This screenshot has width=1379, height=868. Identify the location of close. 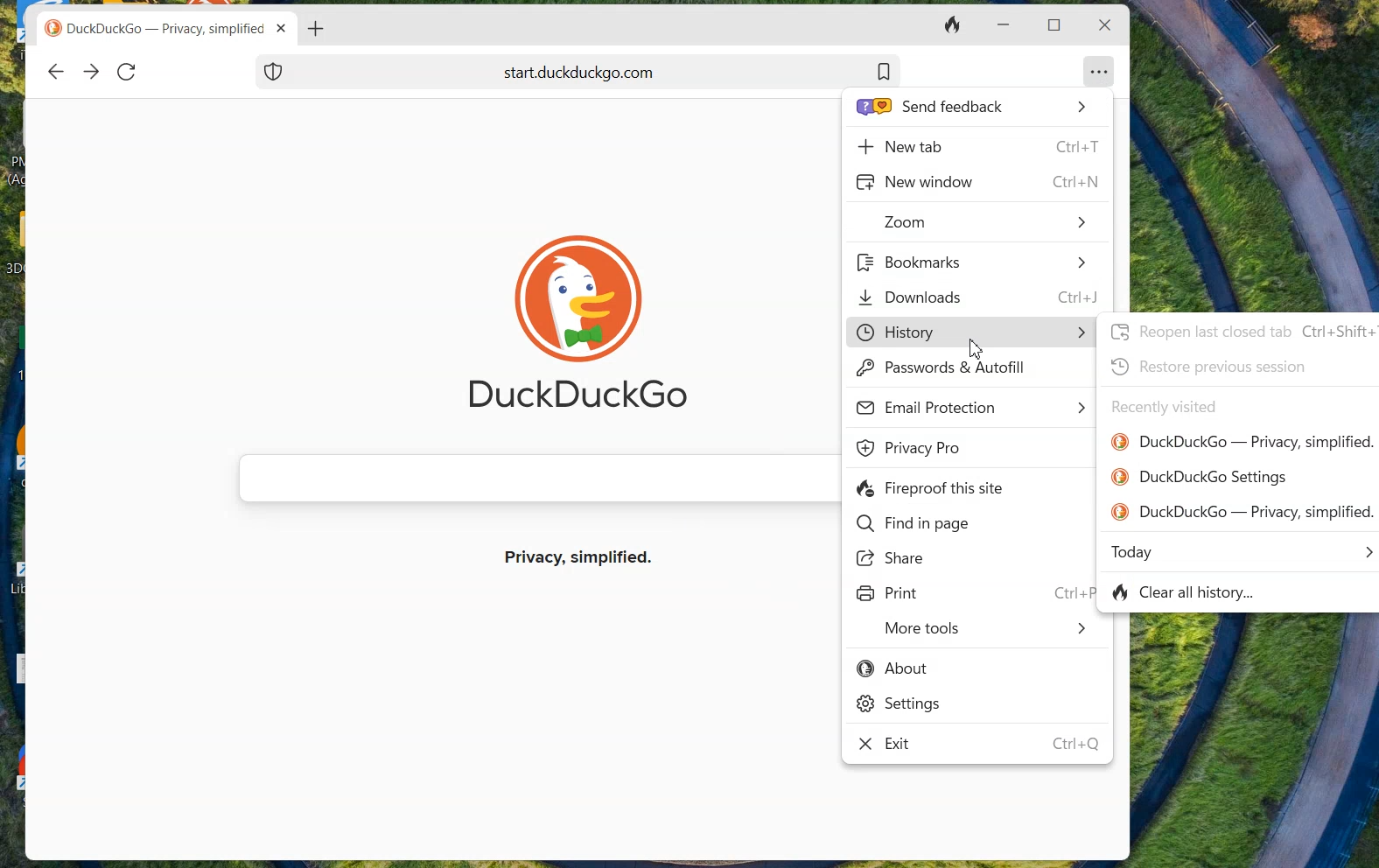
(283, 28).